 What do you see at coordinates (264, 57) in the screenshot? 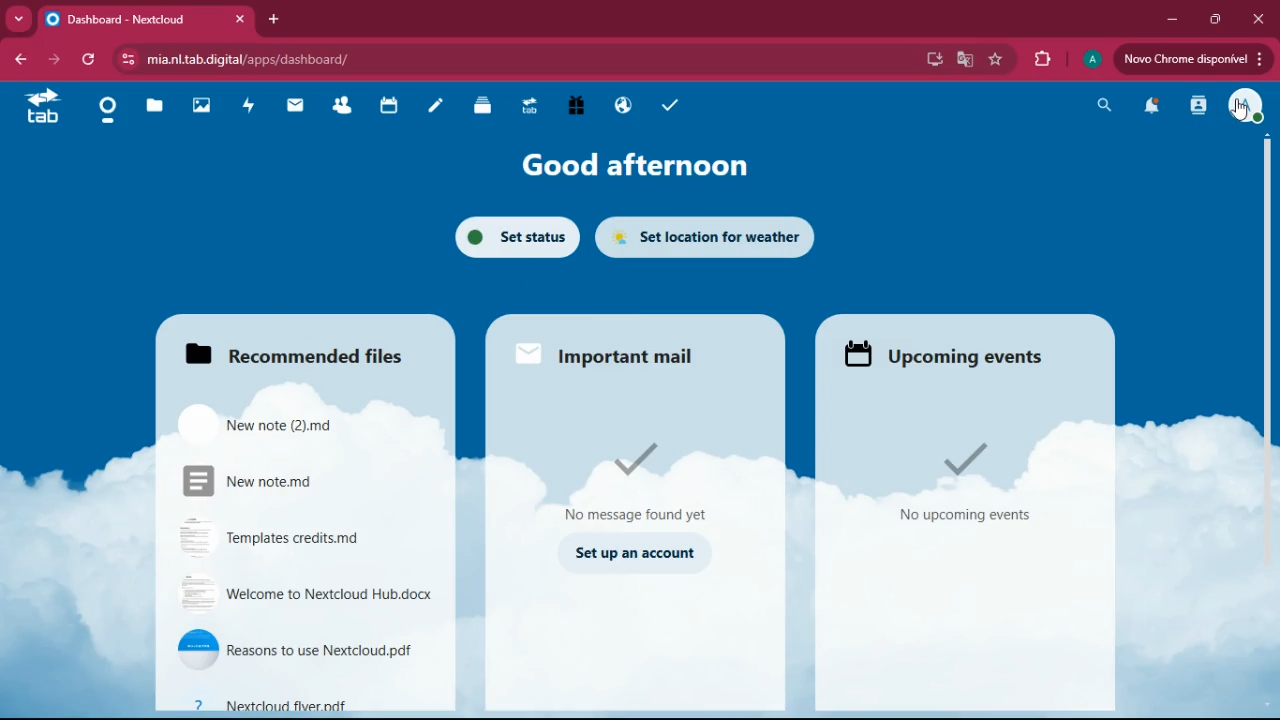
I see `url` at bounding box center [264, 57].